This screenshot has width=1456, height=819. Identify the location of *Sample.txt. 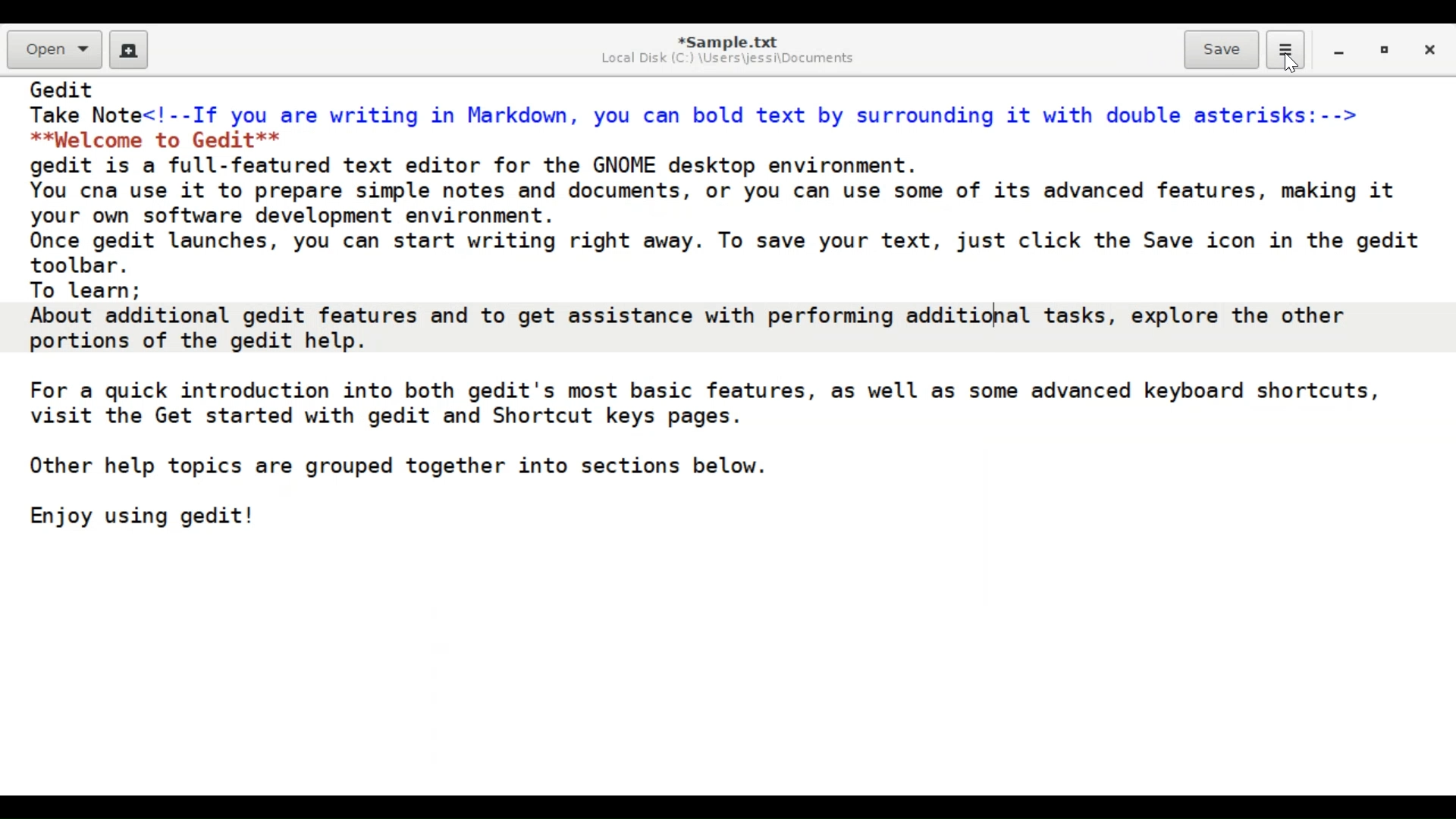
(728, 39).